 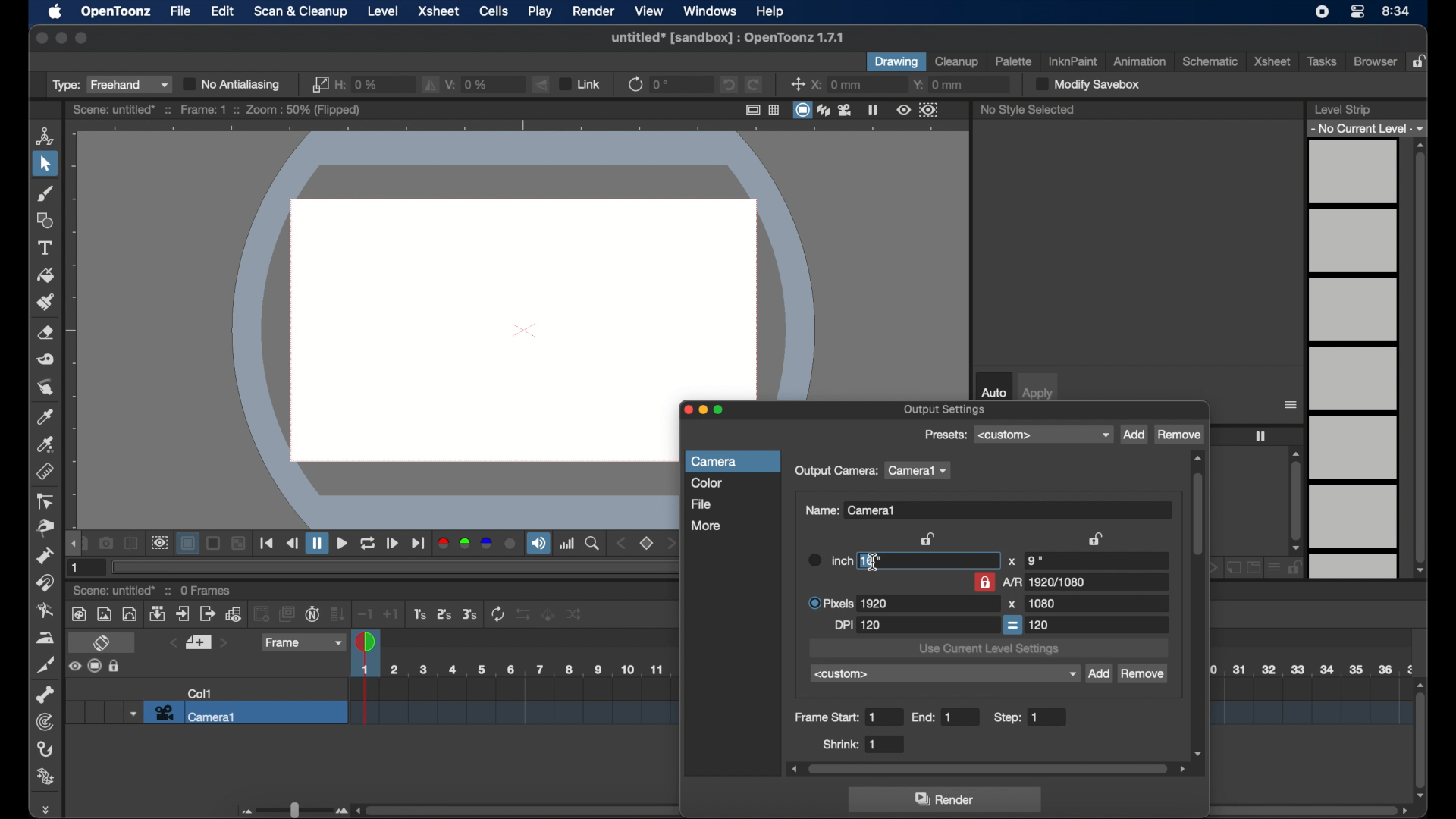 I want to click on 0, so click(x=663, y=84).